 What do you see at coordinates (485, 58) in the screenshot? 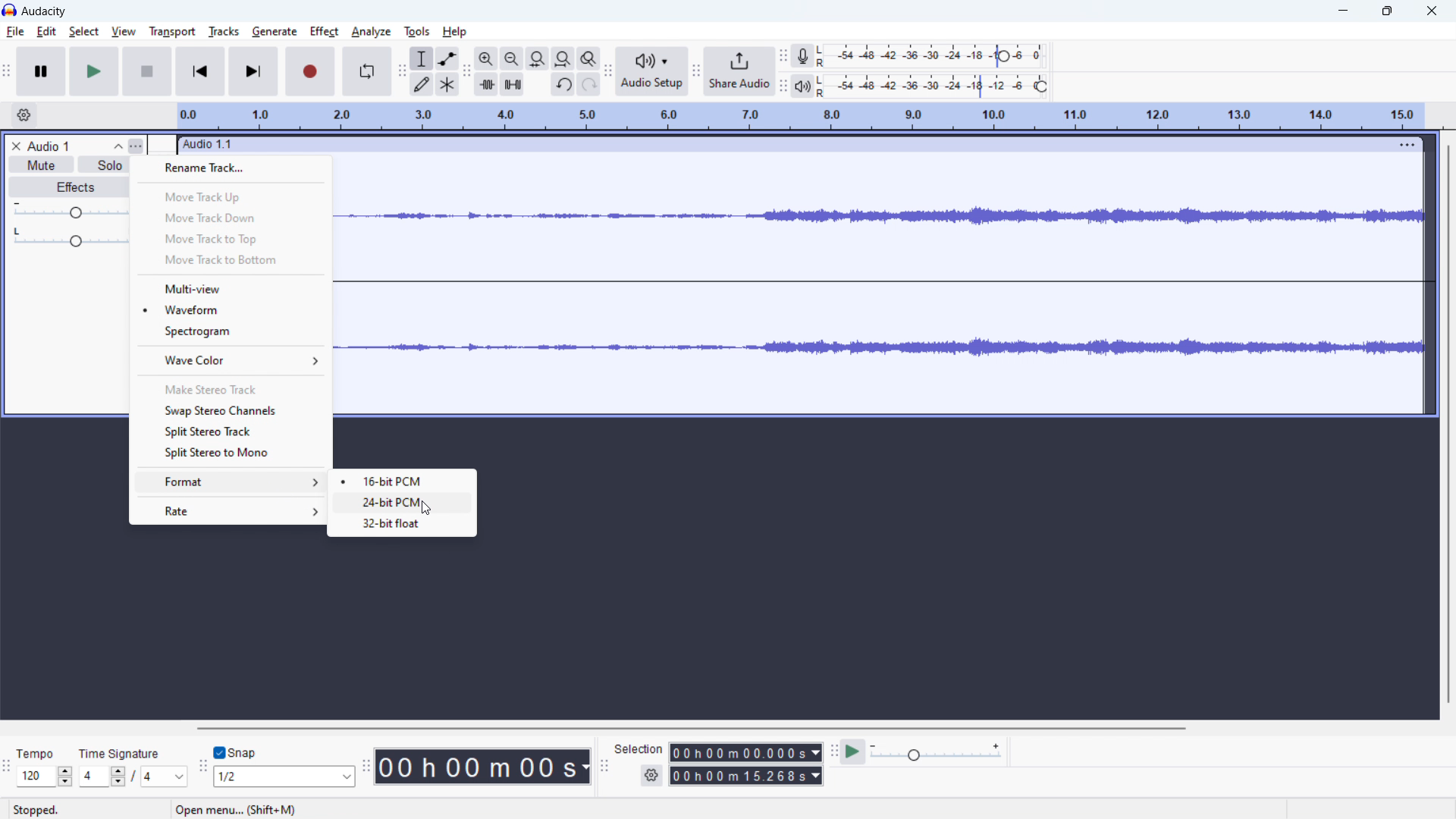
I see `zoom in` at bounding box center [485, 58].